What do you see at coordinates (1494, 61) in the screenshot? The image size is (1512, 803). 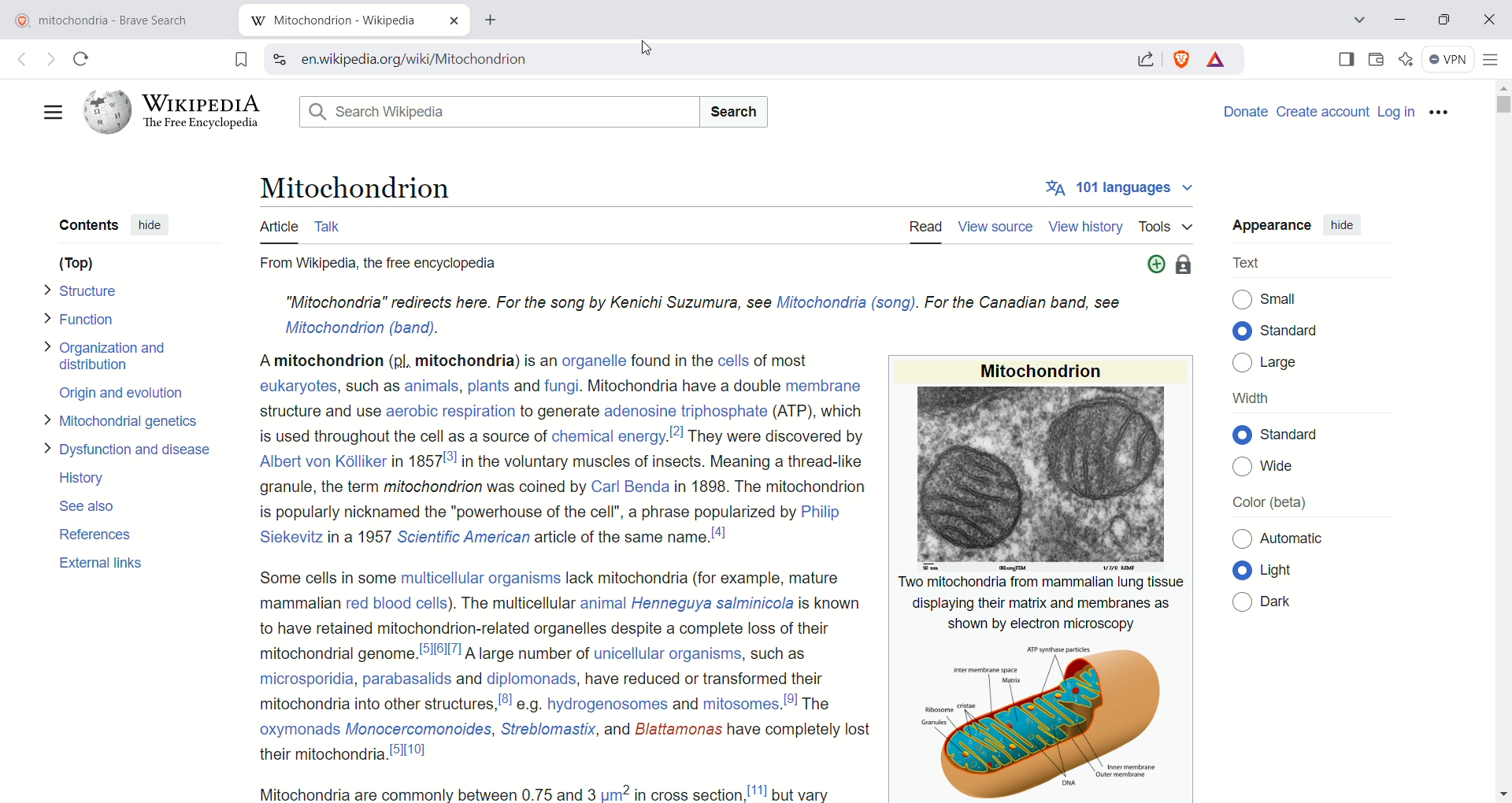 I see `customize and control brave` at bounding box center [1494, 61].